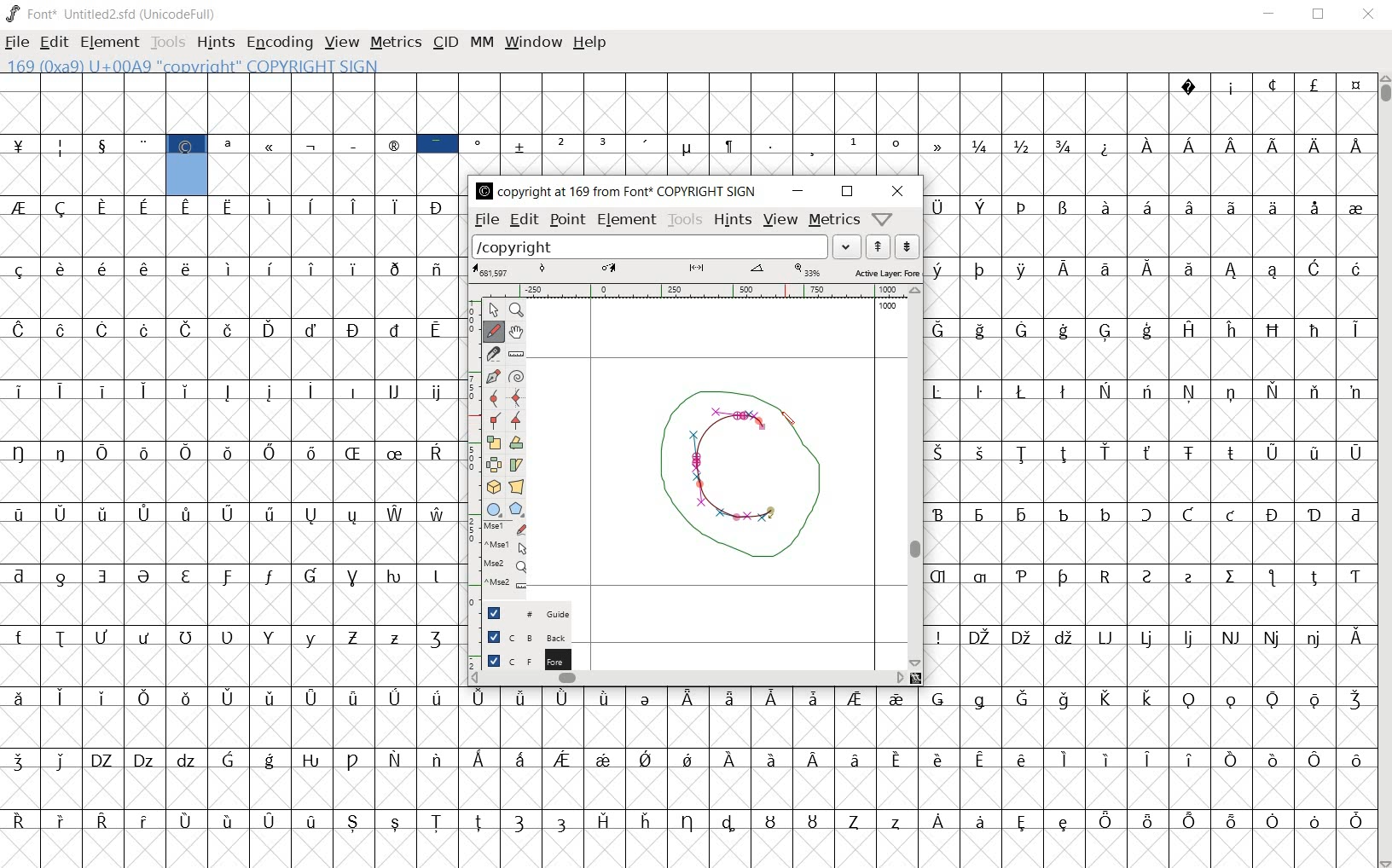  Describe the element at coordinates (742, 481) in the screenshot. I see `designing copyright glyph` at that location.